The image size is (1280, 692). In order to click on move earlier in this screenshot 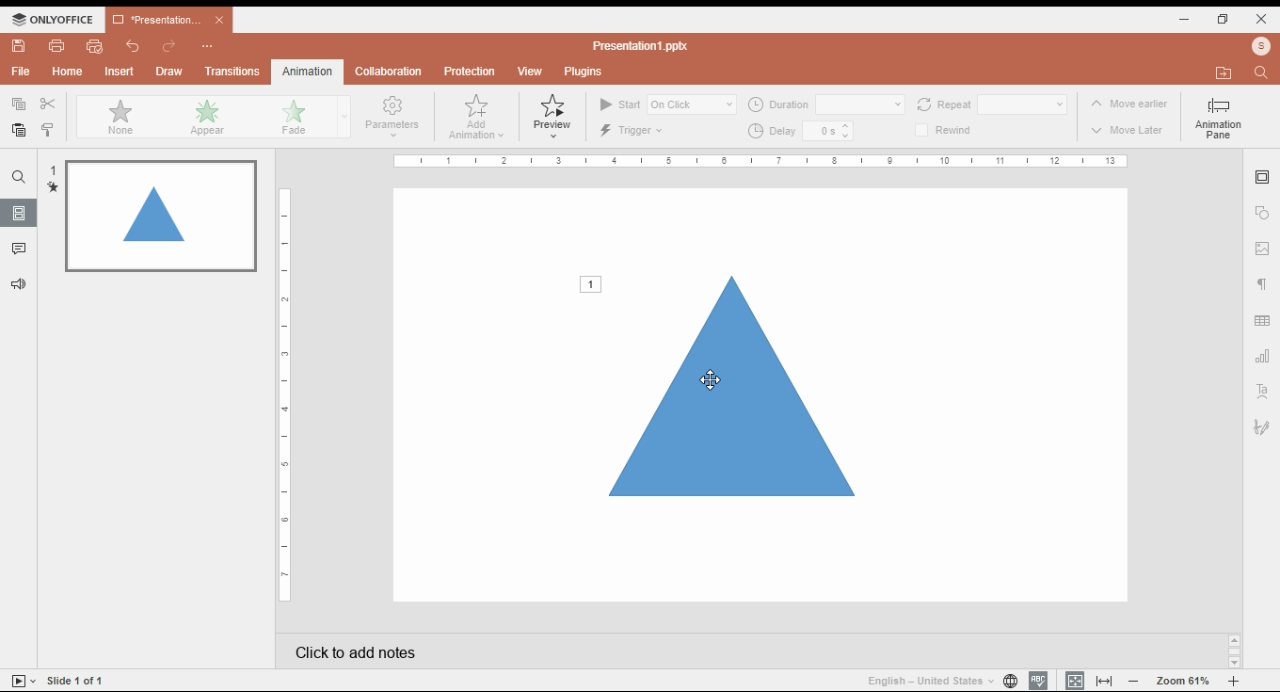, I will do `click(1129, 103)`.